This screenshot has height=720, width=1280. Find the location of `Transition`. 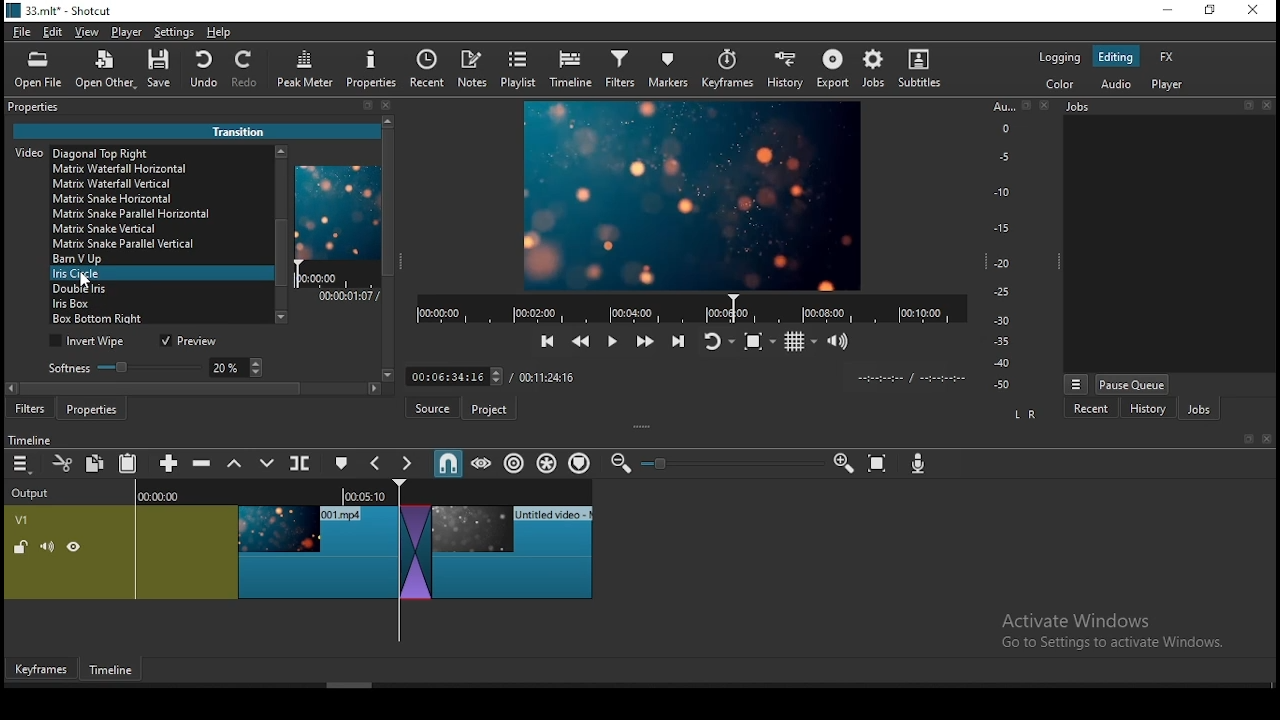

Transition is located at coordinates (246, 129).